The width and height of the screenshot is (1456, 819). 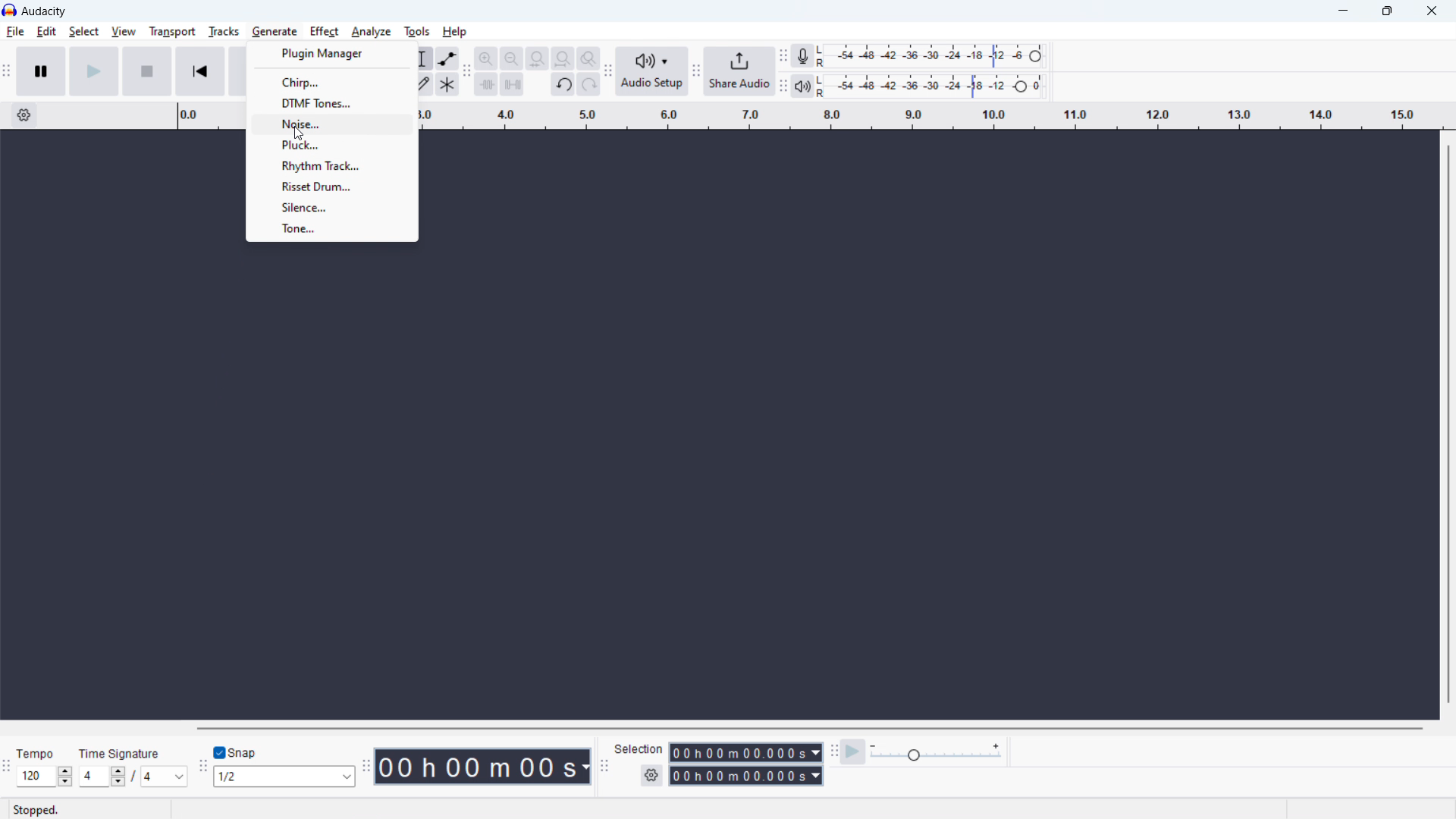 What do you see at coordinates (368, 765) in the screenshot?
I see `time toolbar` at bounding box center [368, 765].